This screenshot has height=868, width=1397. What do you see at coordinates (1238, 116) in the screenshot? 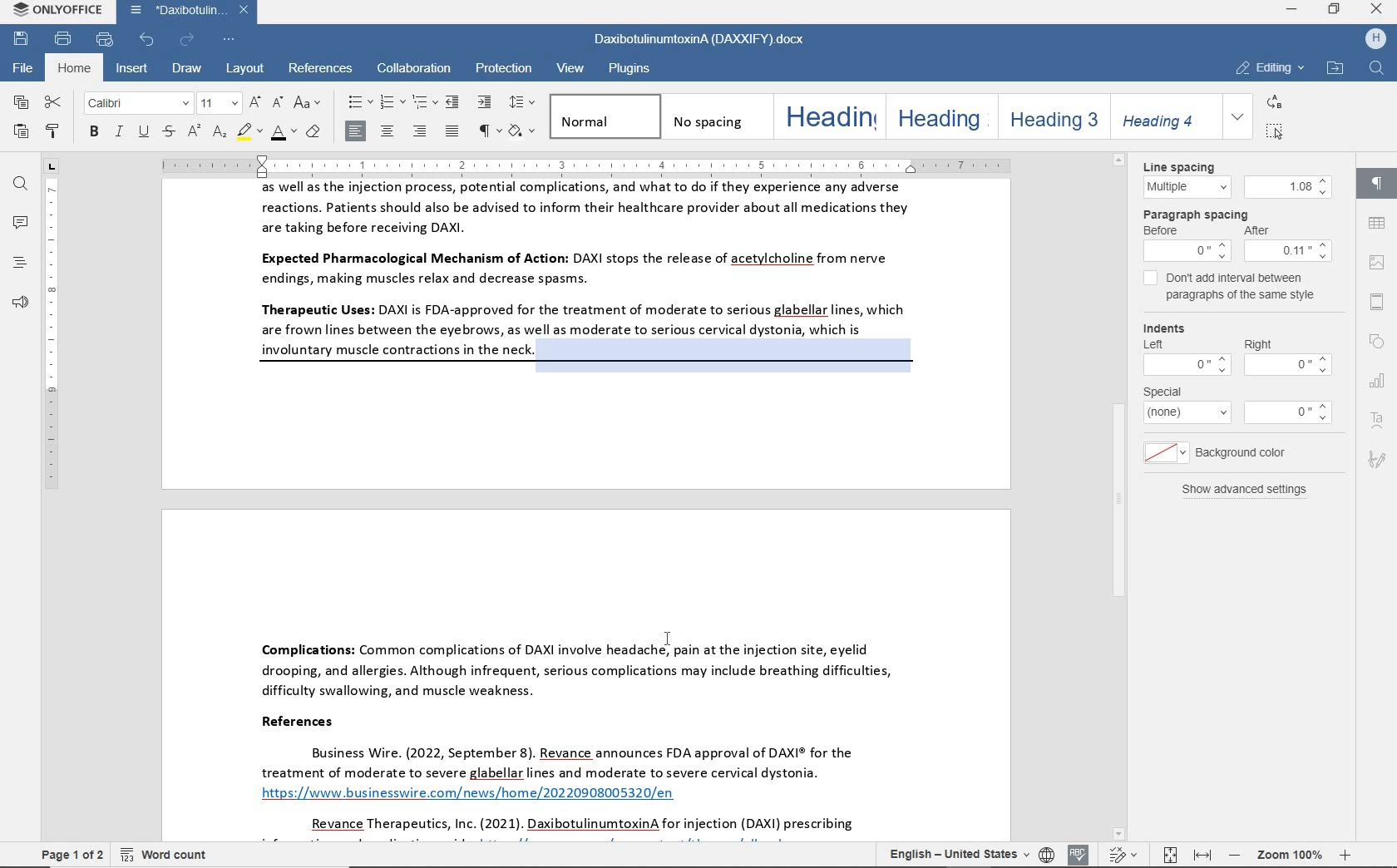
I see `expand` at bounding box center [1238, 116].